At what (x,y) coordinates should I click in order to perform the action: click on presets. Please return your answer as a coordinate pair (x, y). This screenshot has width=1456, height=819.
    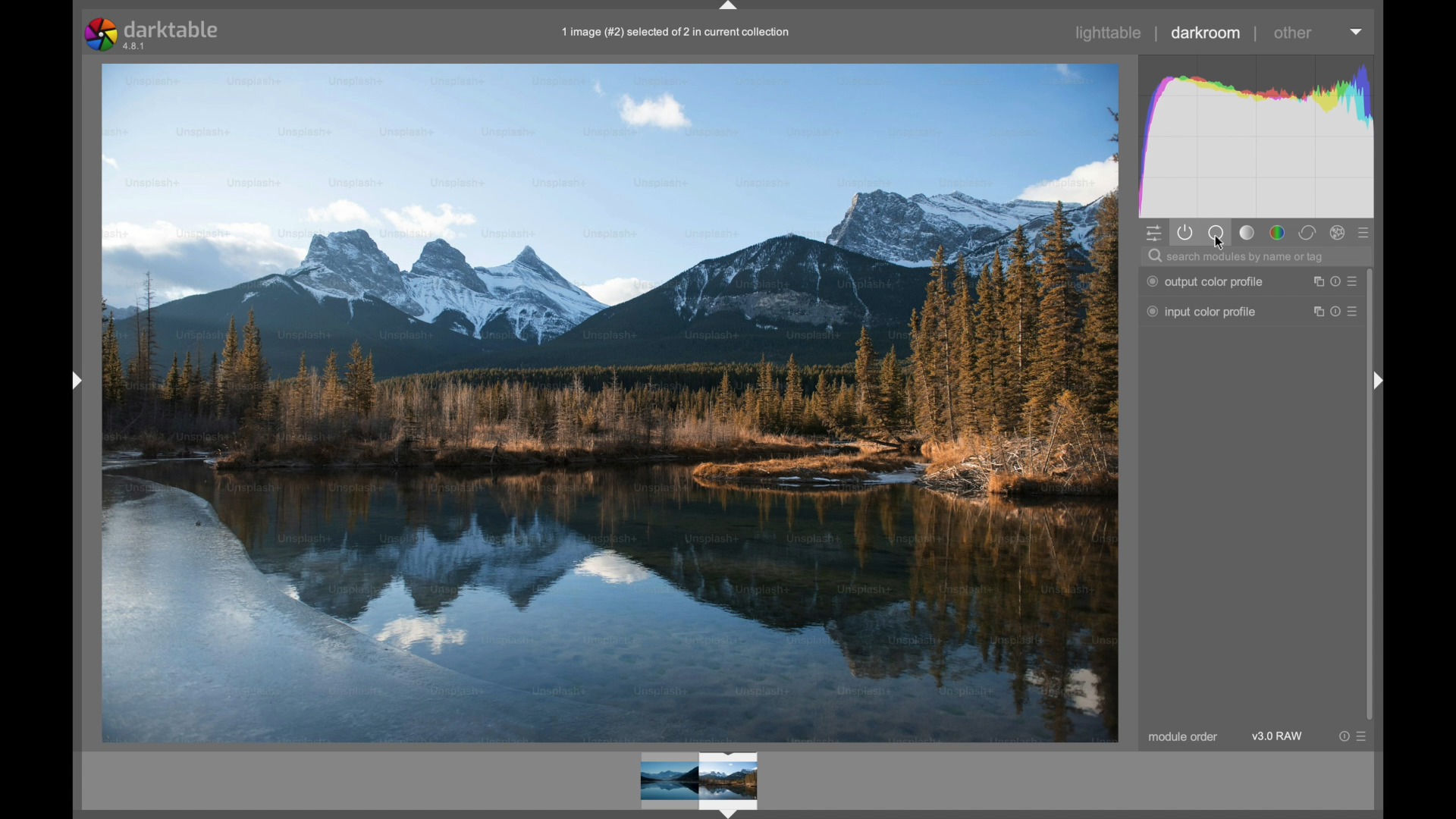
    Looking at the image, I should click on (1356, 312).